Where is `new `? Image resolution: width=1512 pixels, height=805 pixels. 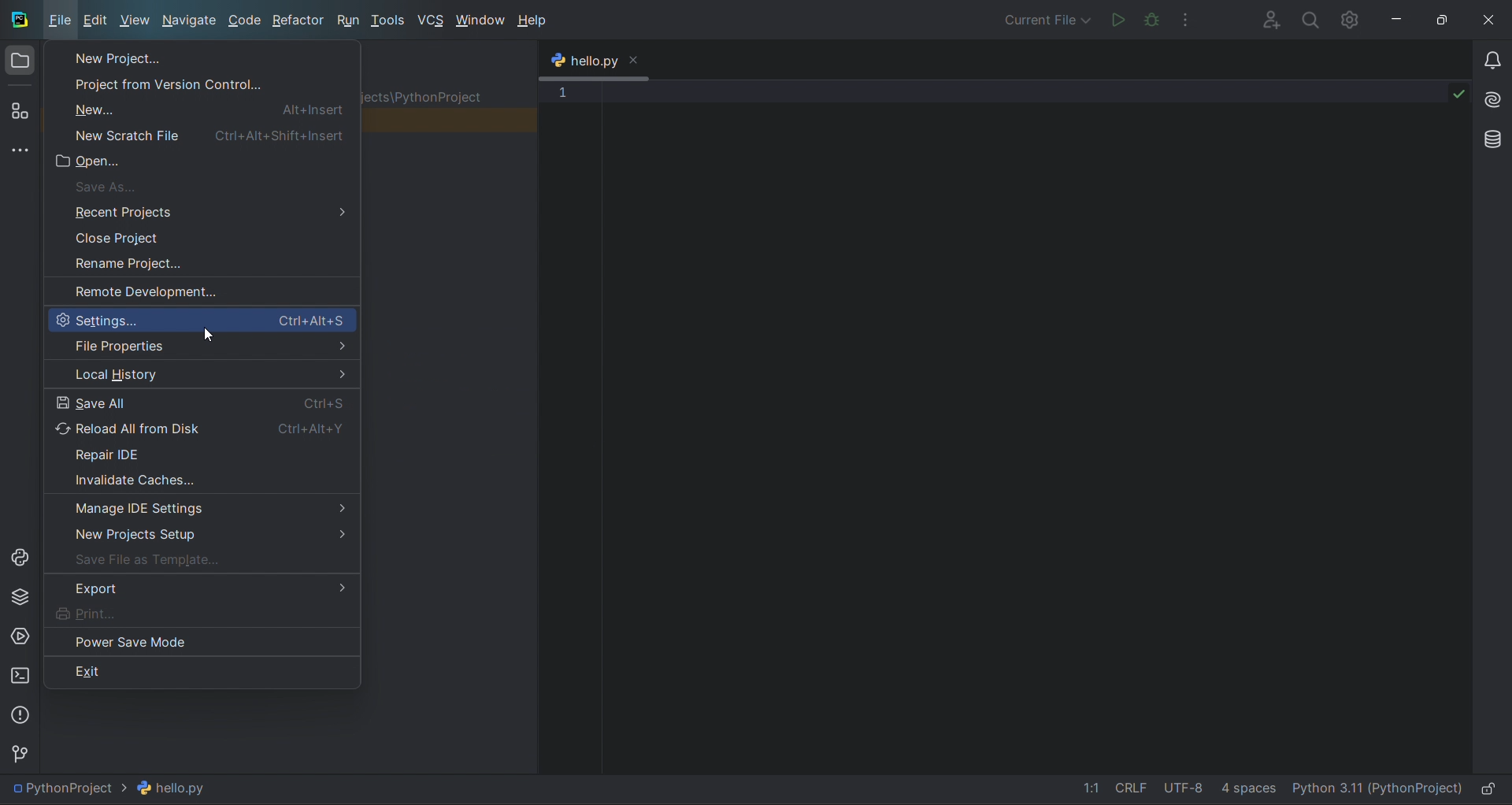
new  is located at coordinates (205, 109).